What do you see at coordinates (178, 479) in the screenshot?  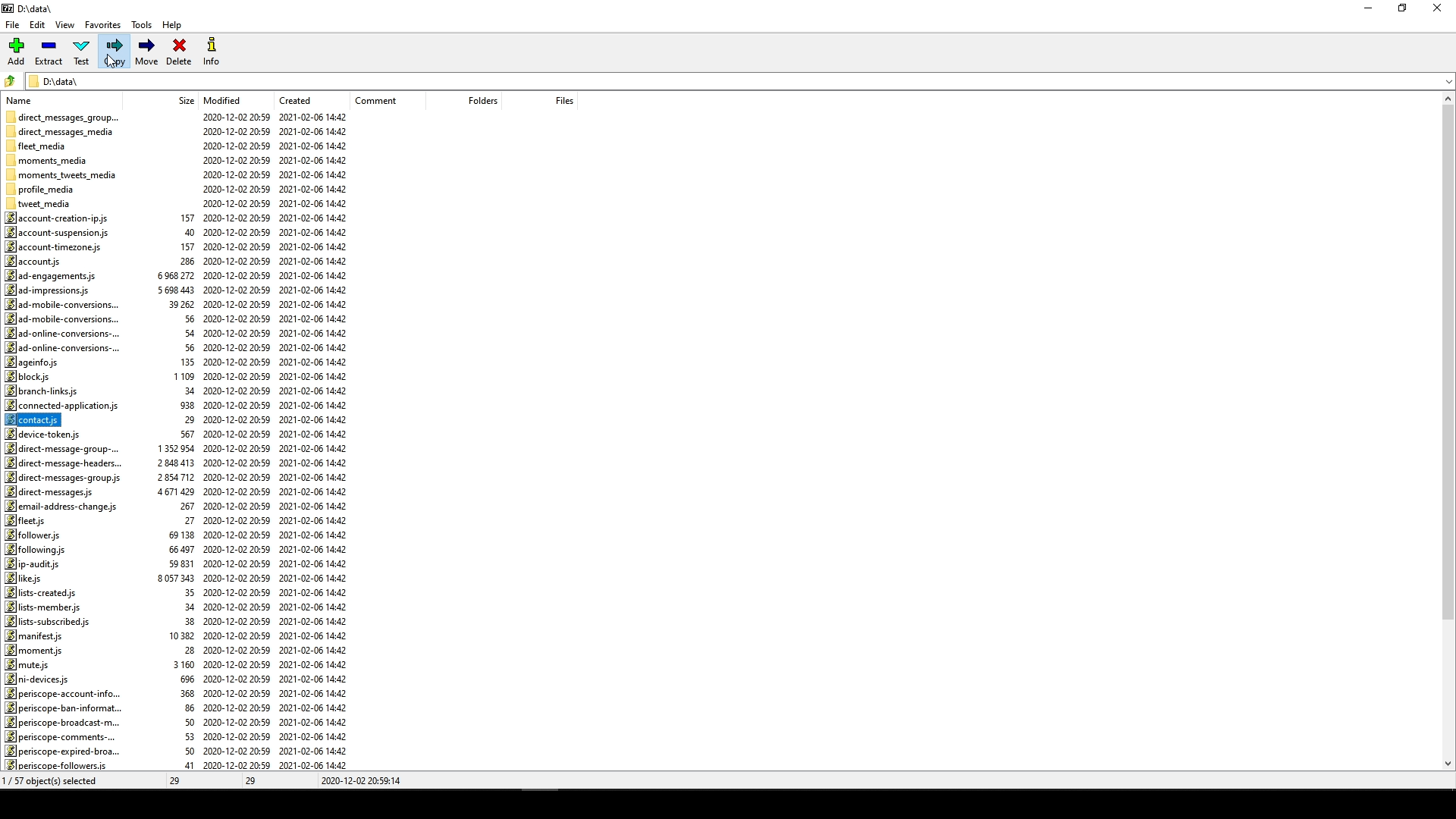 I see `size` at bounding box center [178, 479].